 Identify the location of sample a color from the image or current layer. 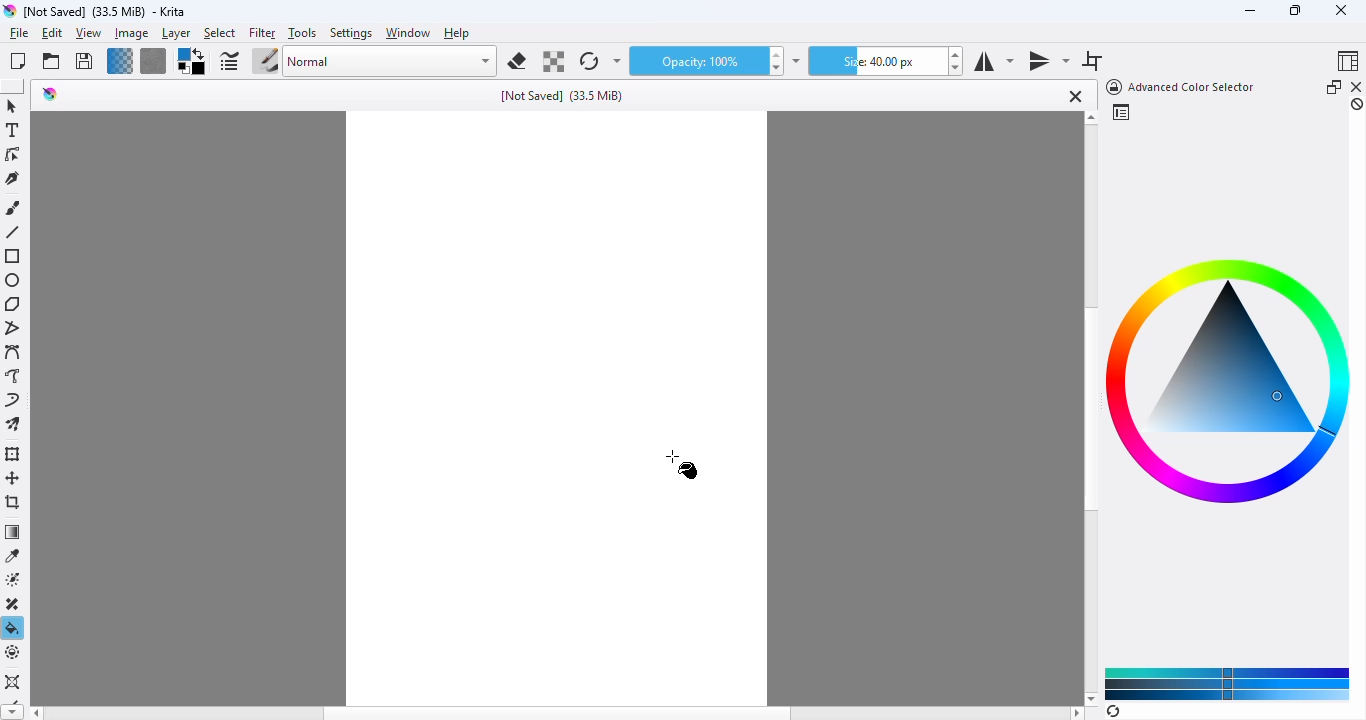
(14, 556).